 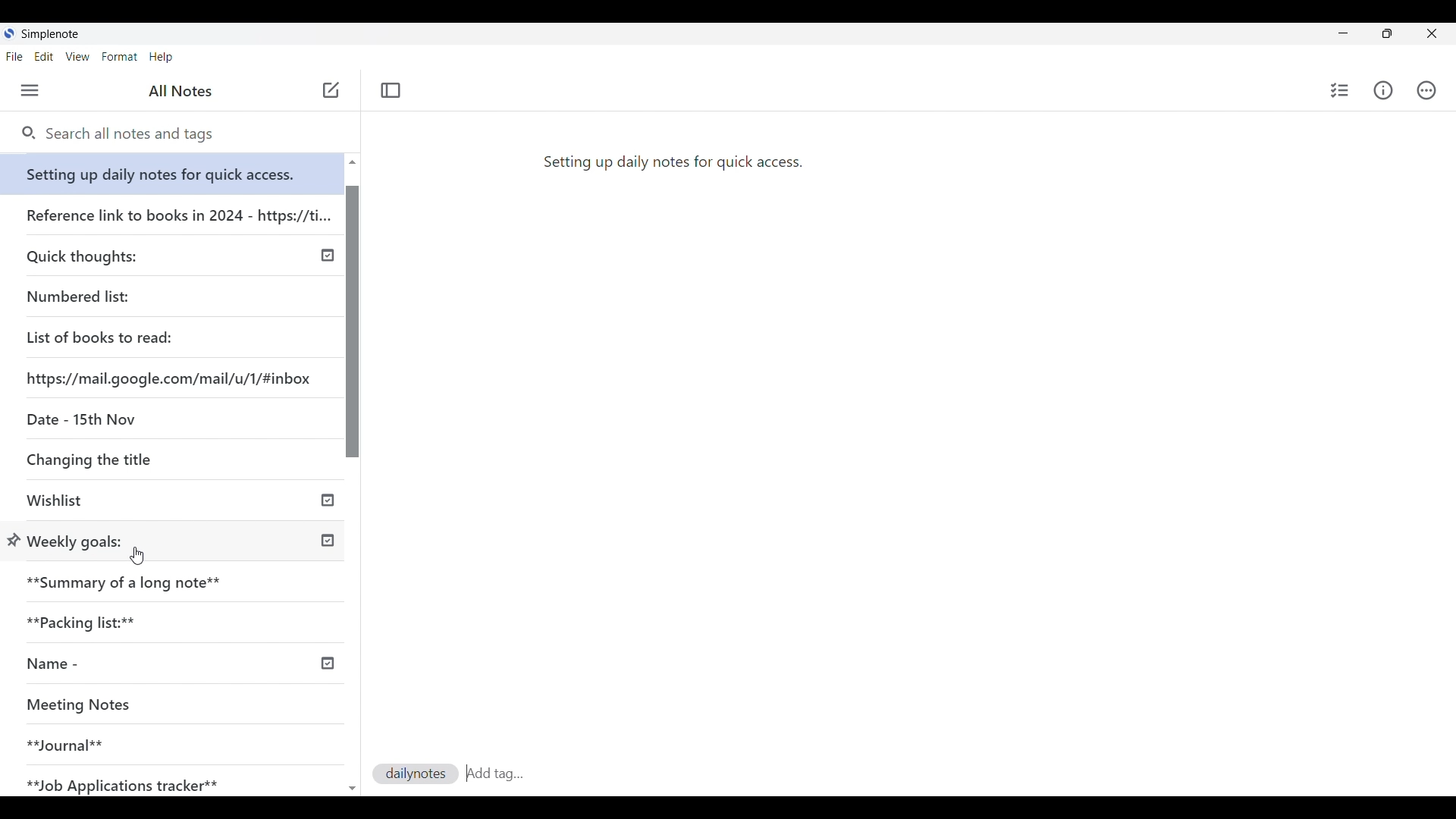 I want to click on dailynotes, so click(x=410, y=773).